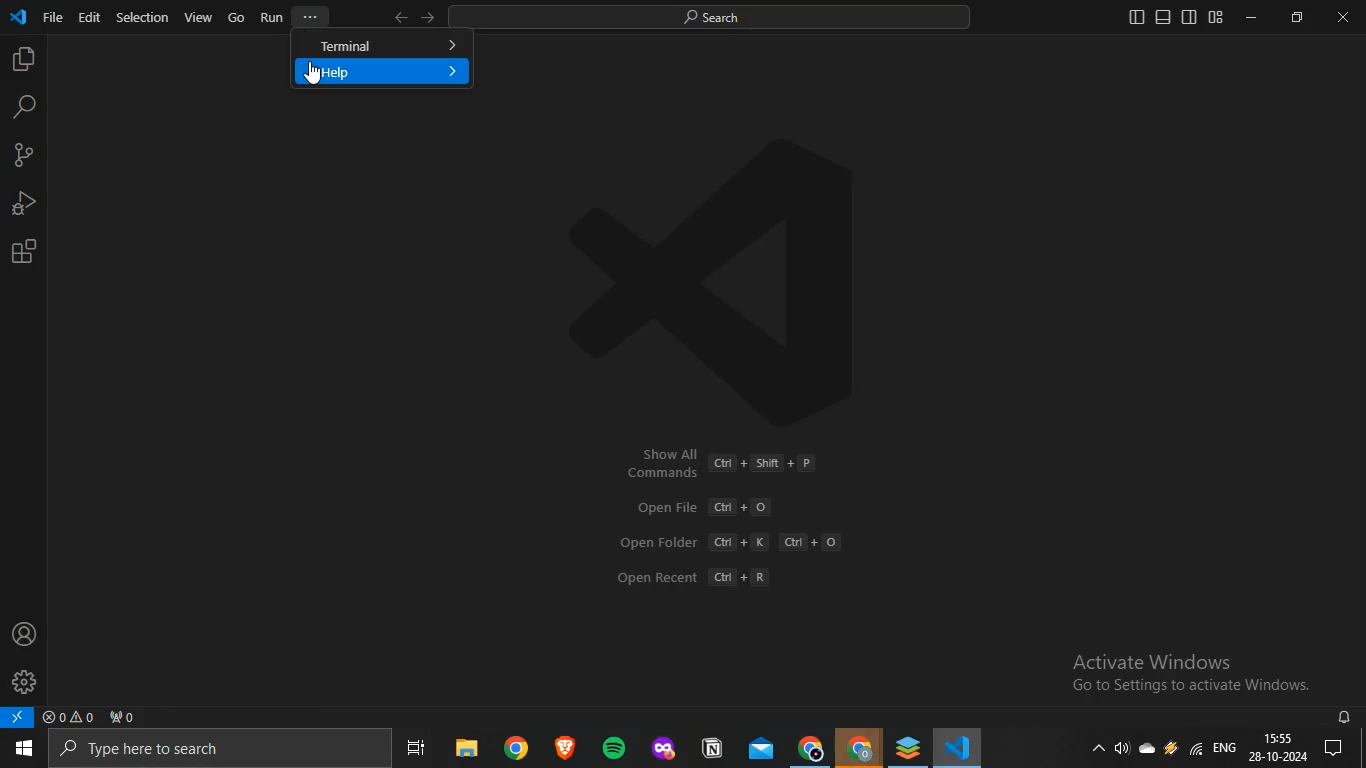 This screenshot has height=768, width=1366. I want to click on toggle primary sidebar, so click(1137, 18).